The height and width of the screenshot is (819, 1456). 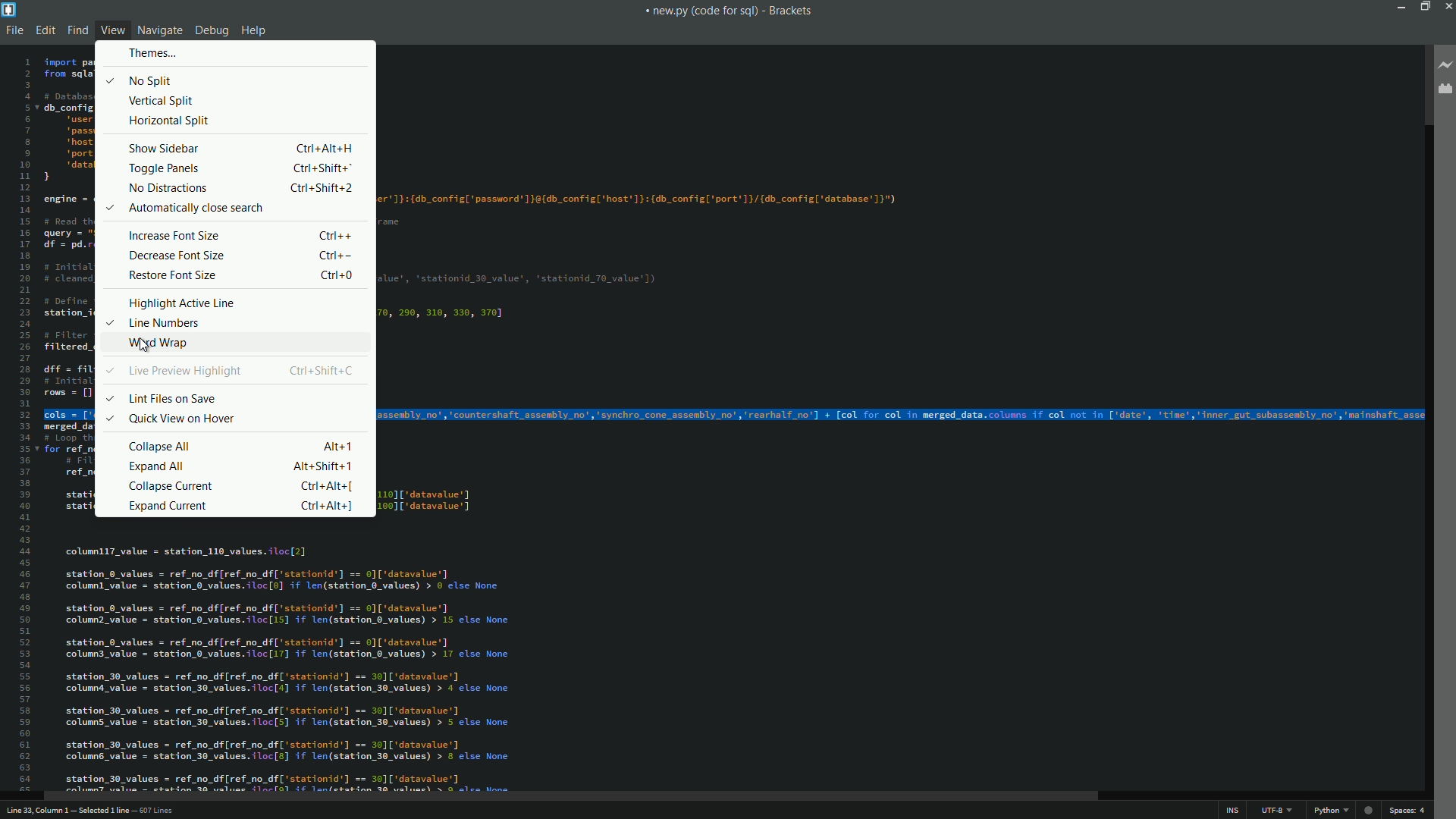 I want to click on live preview highlight, so click(x=171, y=371).